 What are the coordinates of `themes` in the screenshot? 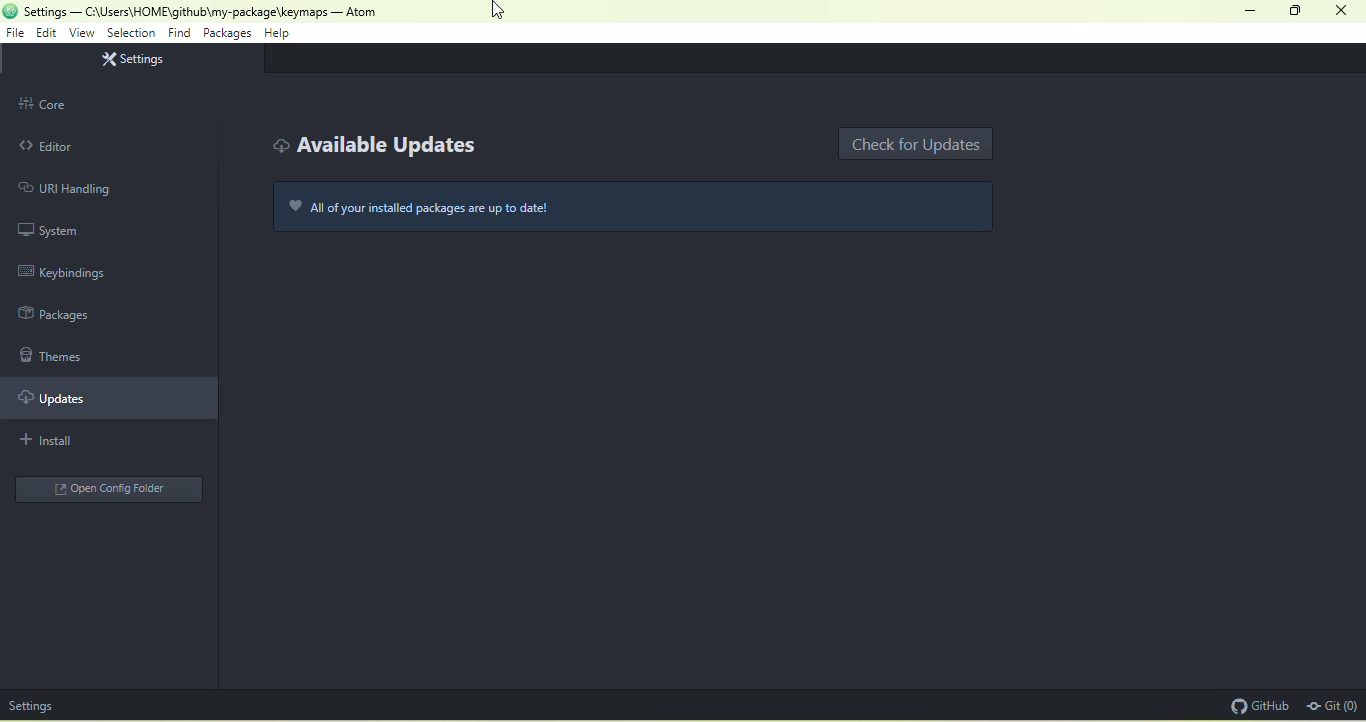 It's located at (56, 355).